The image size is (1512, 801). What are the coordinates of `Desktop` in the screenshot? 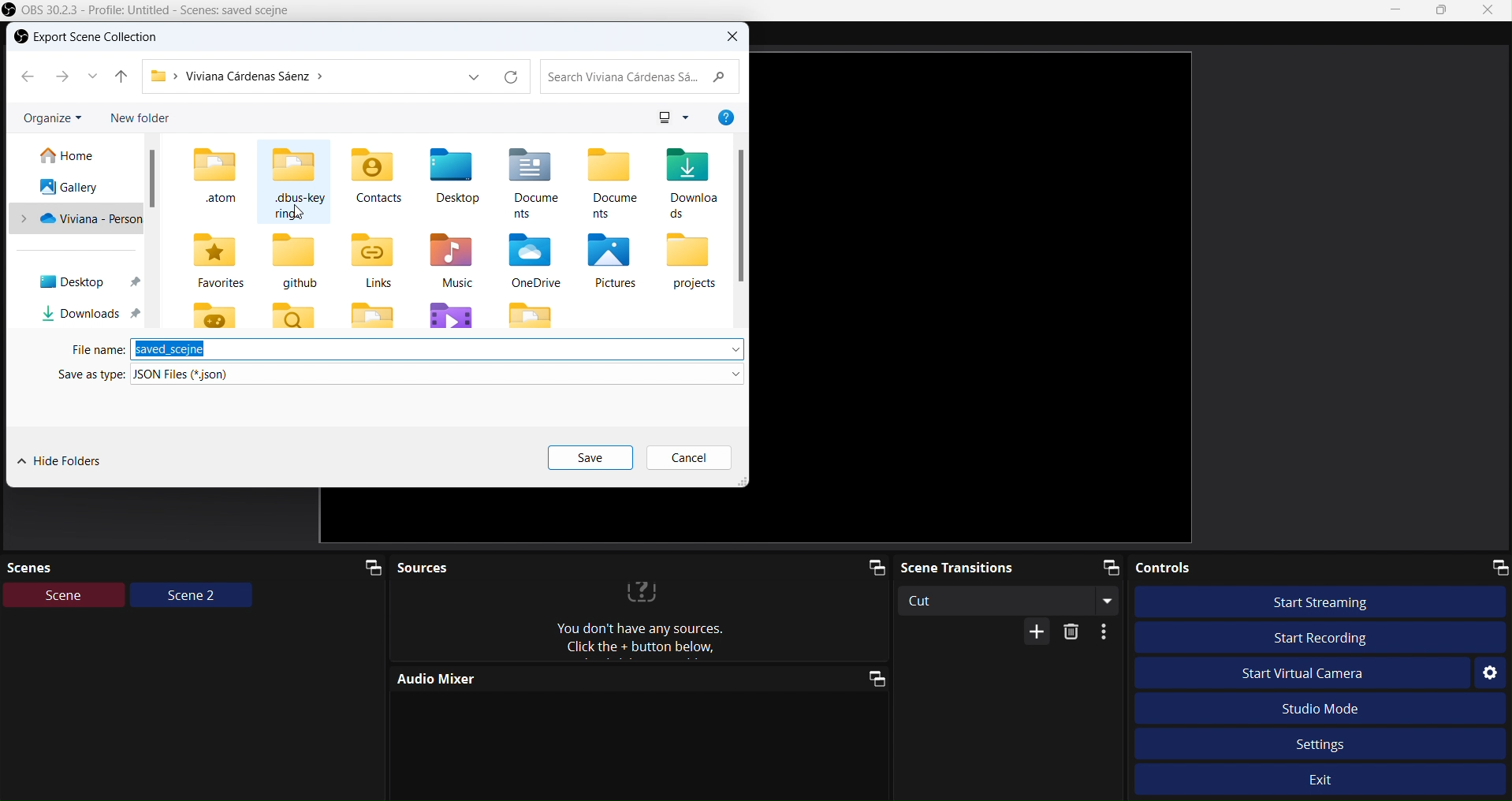 It's located at (456, 175).